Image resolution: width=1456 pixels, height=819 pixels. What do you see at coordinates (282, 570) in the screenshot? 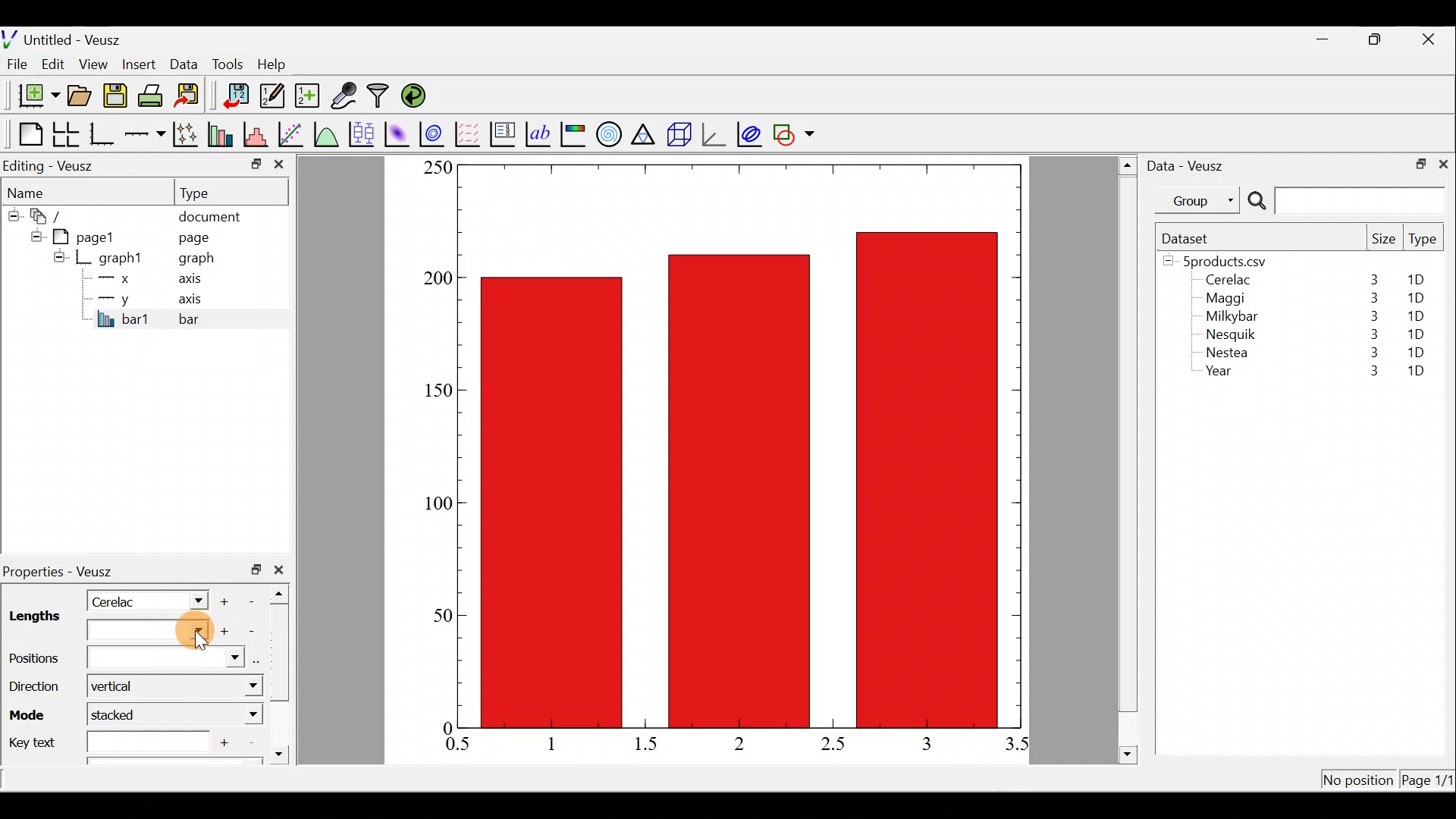
I see `close` at bounding box center [282, 570].